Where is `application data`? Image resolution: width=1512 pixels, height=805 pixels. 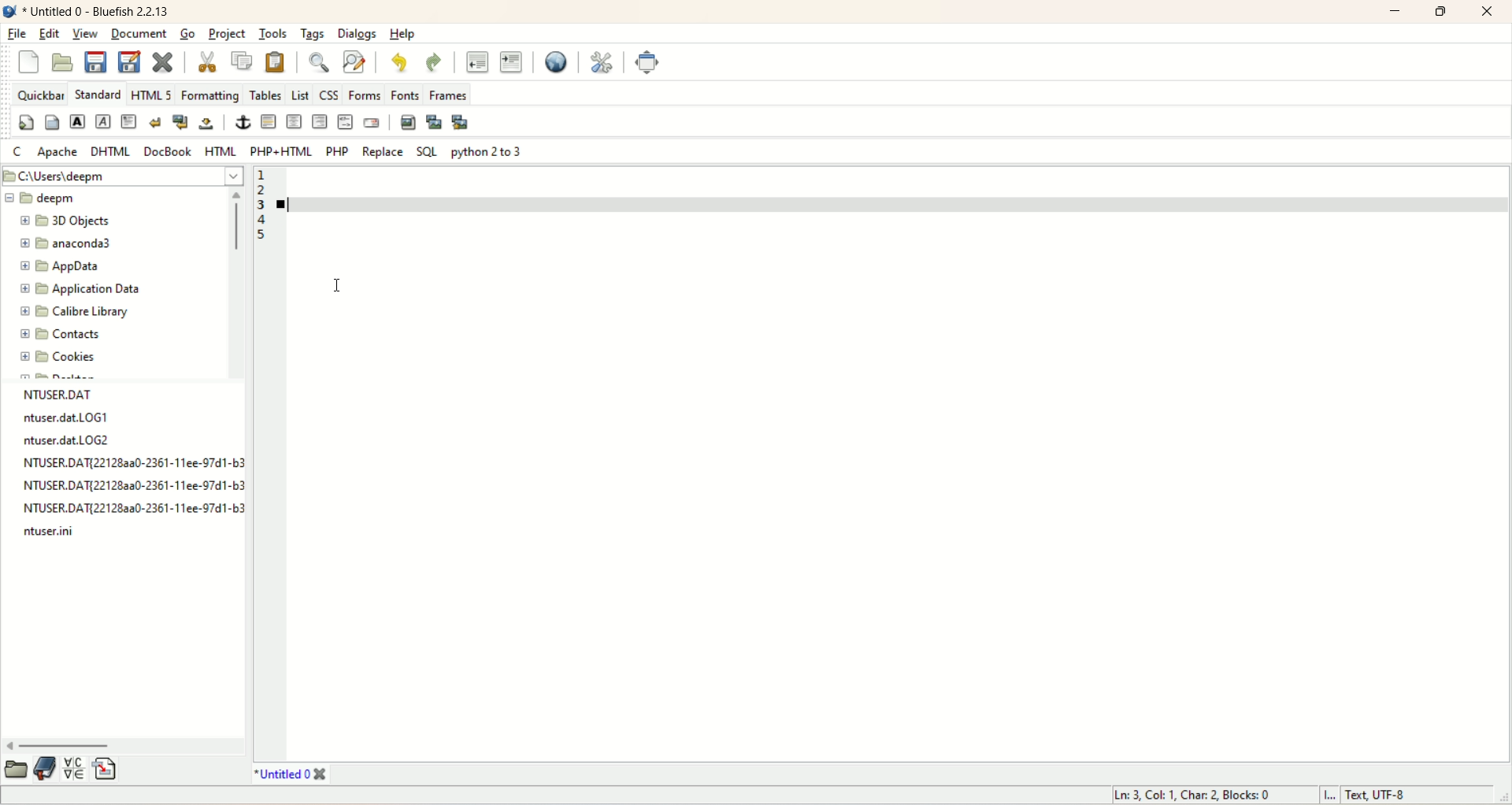 application data is located at coordinates (81, 289).